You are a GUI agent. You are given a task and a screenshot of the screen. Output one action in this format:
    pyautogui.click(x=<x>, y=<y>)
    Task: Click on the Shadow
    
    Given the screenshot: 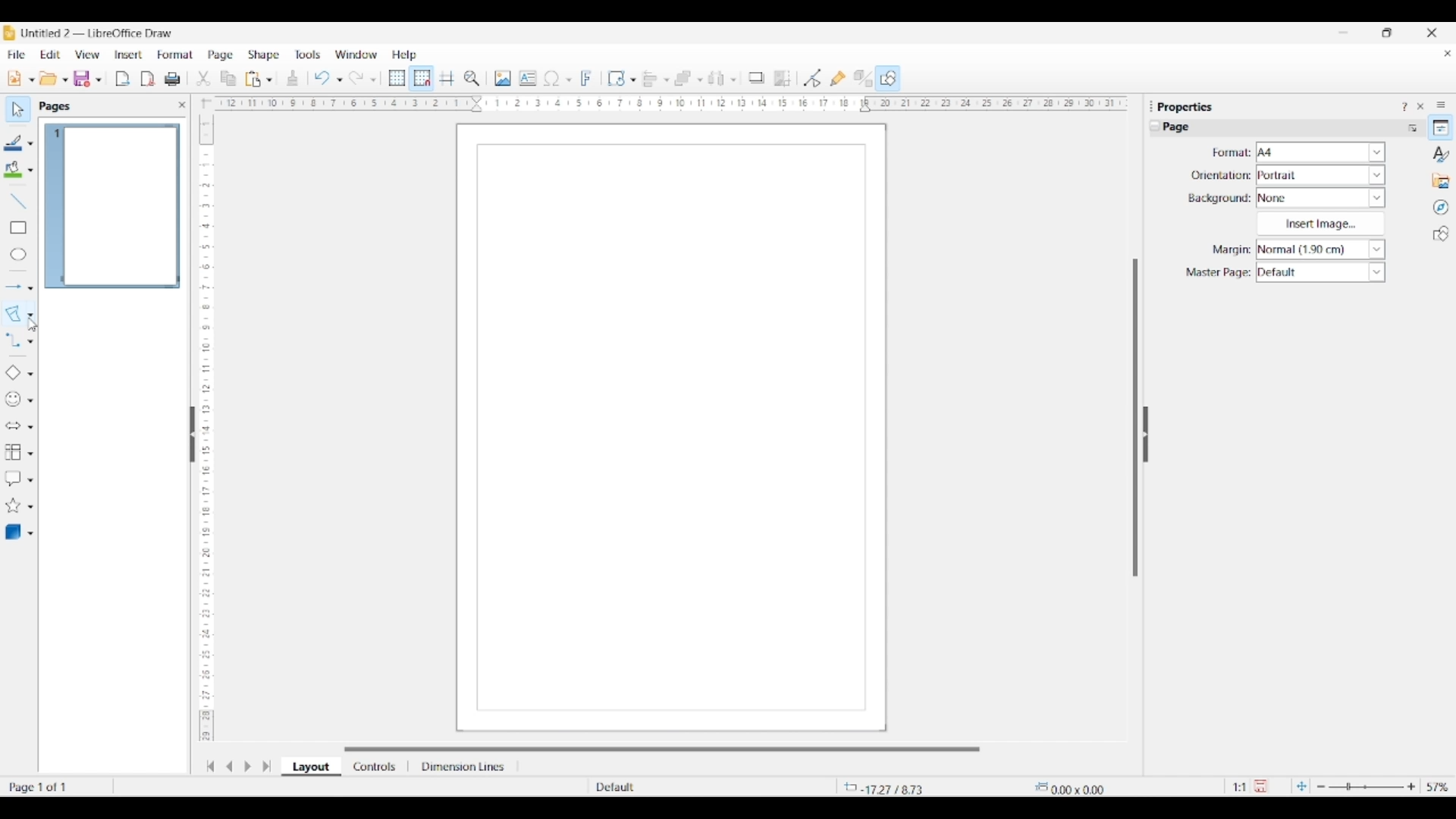 What is the action you would take?
    pyautogui.click(x=756, y=77)
    